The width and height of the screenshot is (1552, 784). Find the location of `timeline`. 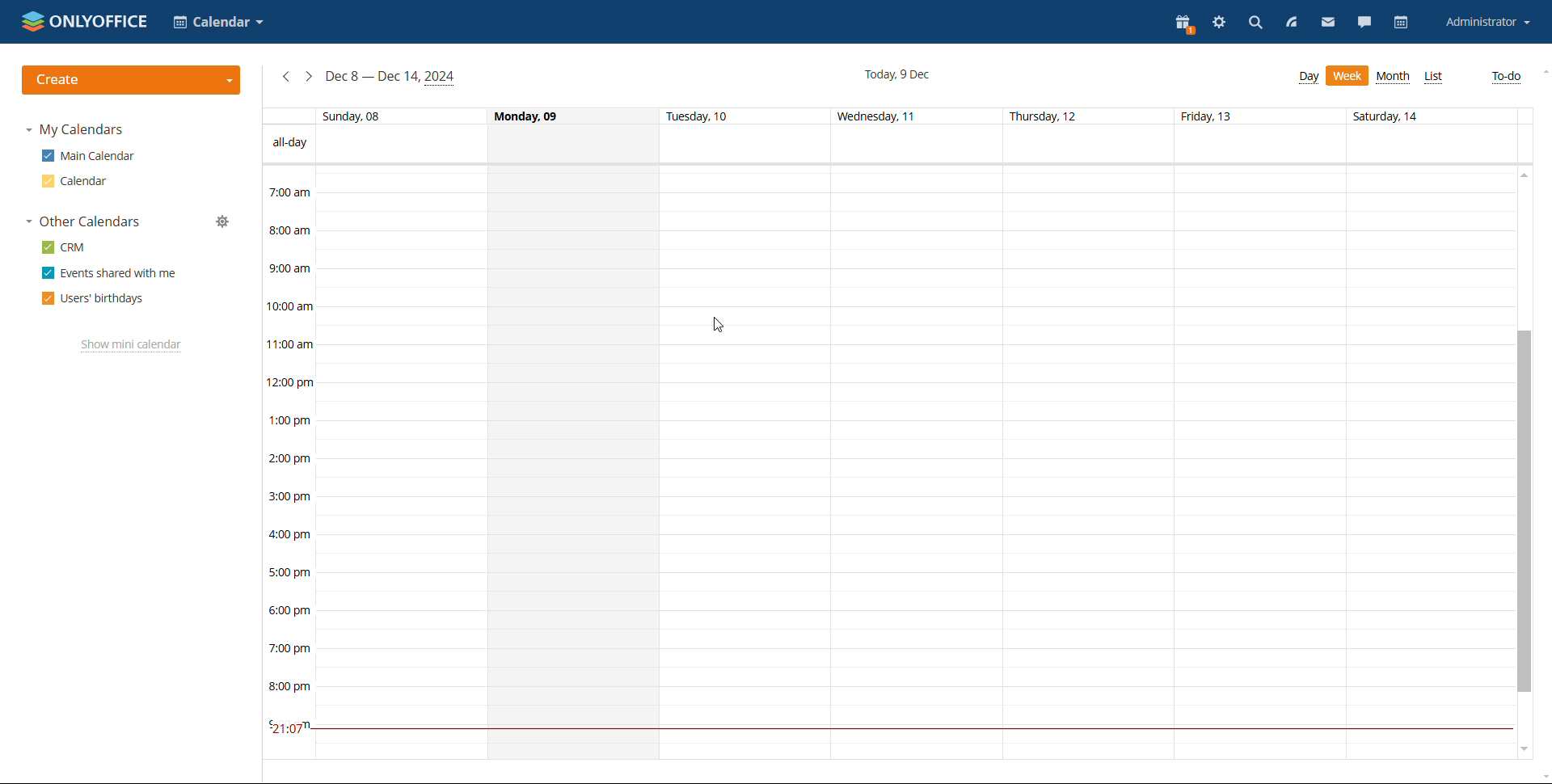

timeline is located at coordinates (286, 462).